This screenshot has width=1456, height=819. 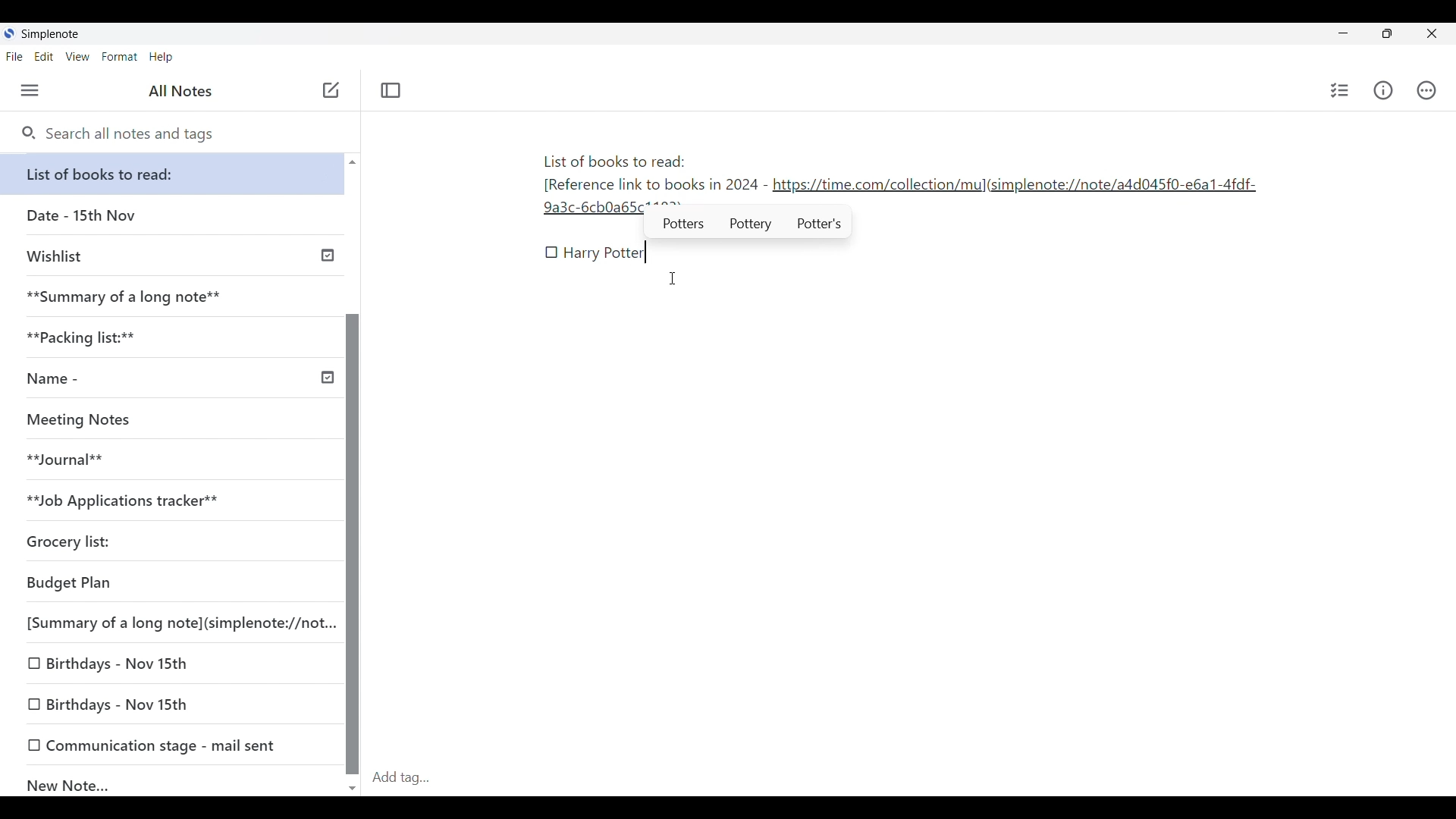 What do you see at coordinates (674, 278) in the screenshot?
I see `Cursor` at bounding box center [674, 278].